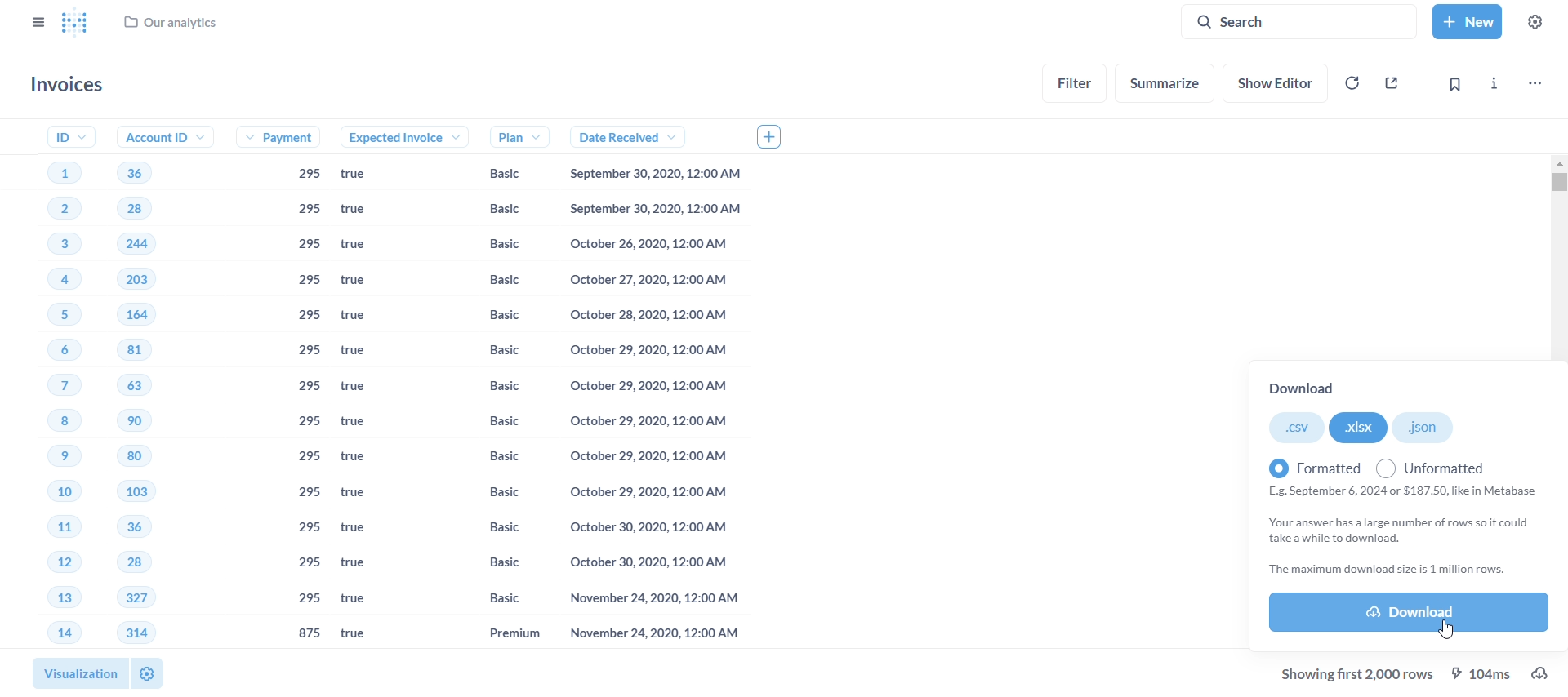  I want to click on close sidebars, so click(36, 20).